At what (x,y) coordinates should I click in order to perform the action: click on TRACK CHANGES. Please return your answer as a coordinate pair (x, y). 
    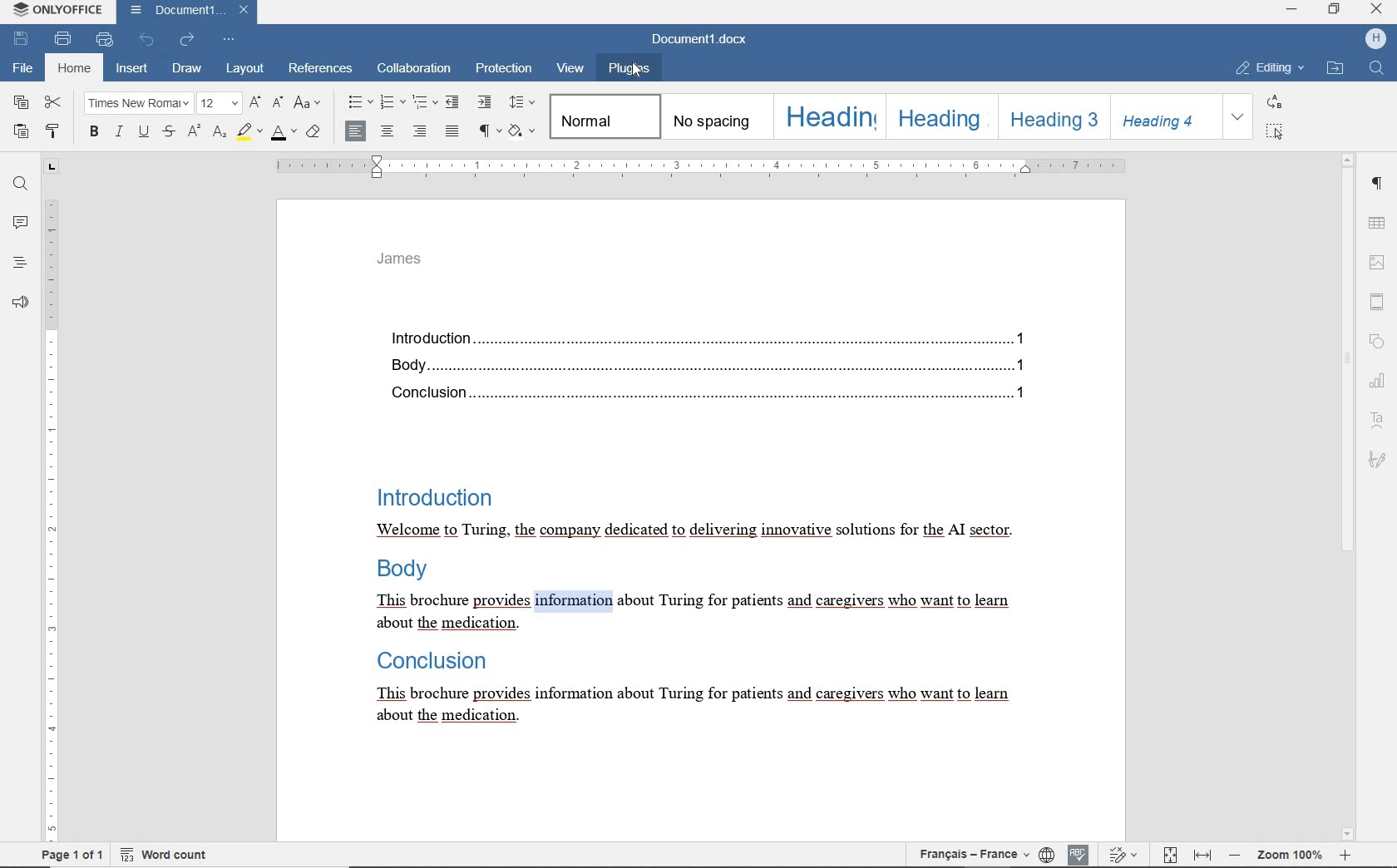
    Looking at the image, I should click on (1122, 854).